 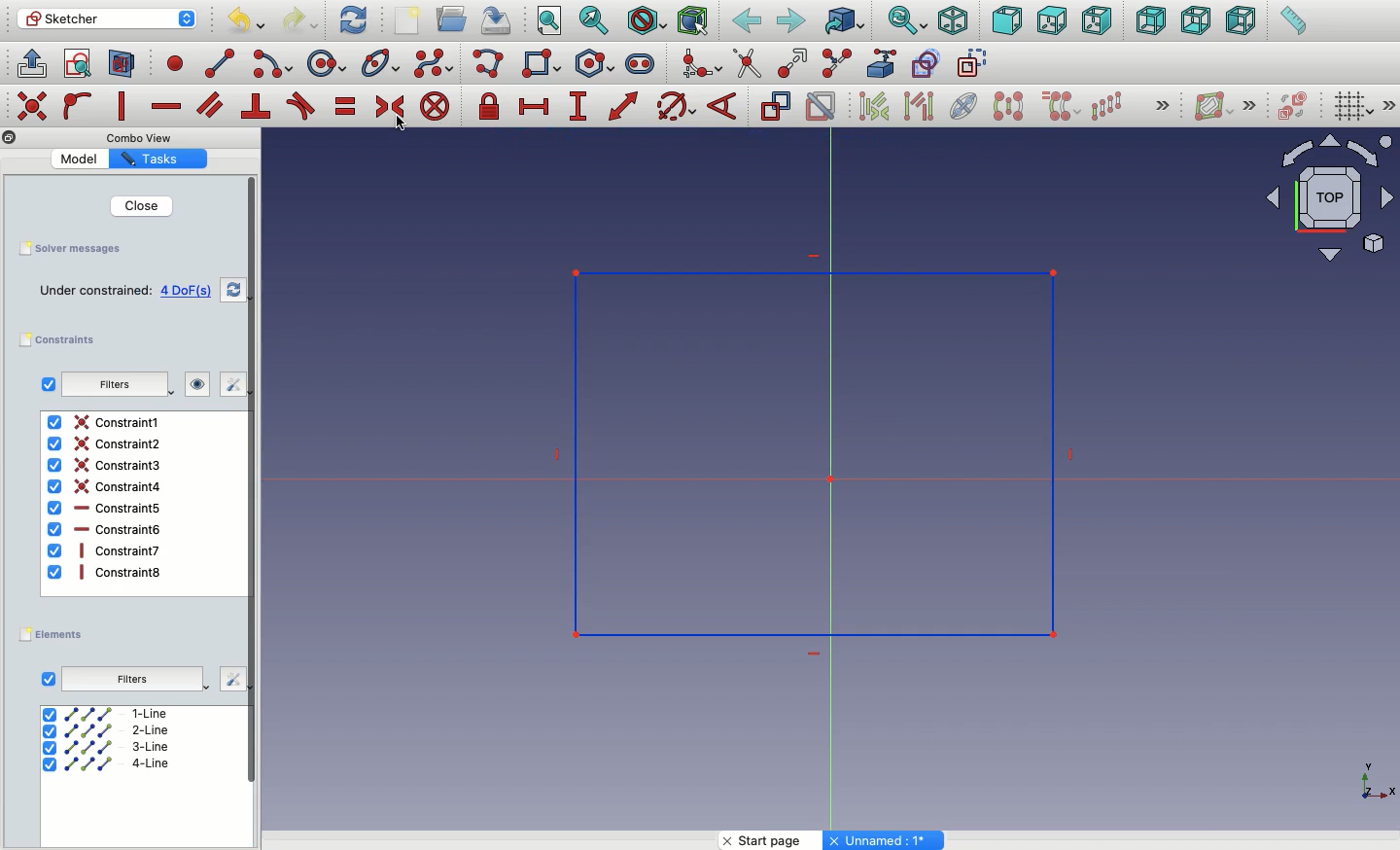 What do you see at coordinates (1215, 106) in the screenshot?
I see `Show hide B spline information layer` at bounding box center [1215, 106].